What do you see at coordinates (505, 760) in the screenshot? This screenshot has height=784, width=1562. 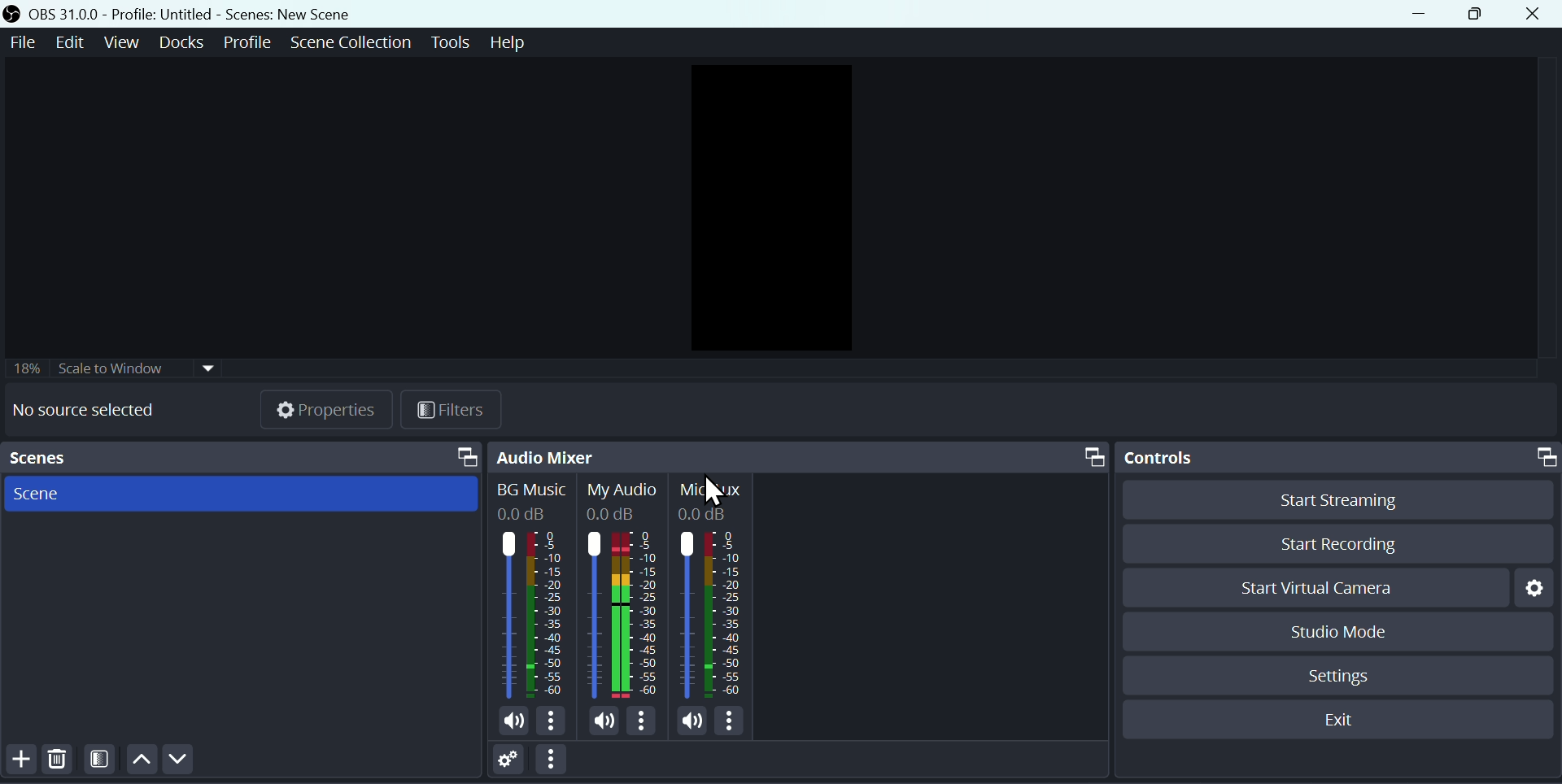 I see `Settings ` at bounding box center [505, 760].